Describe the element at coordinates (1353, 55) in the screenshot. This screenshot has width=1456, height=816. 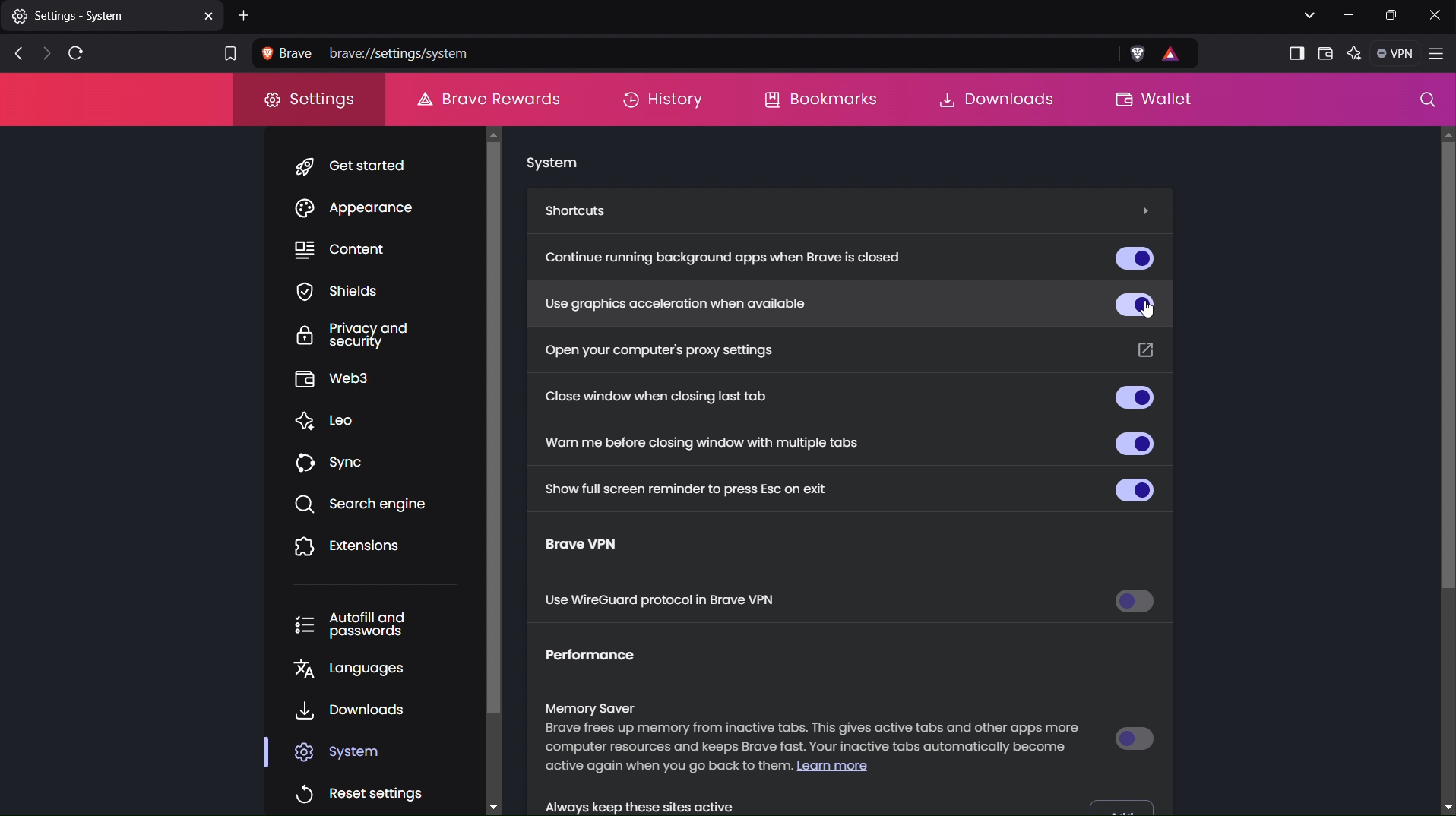
I see `Leo AI` at that location.